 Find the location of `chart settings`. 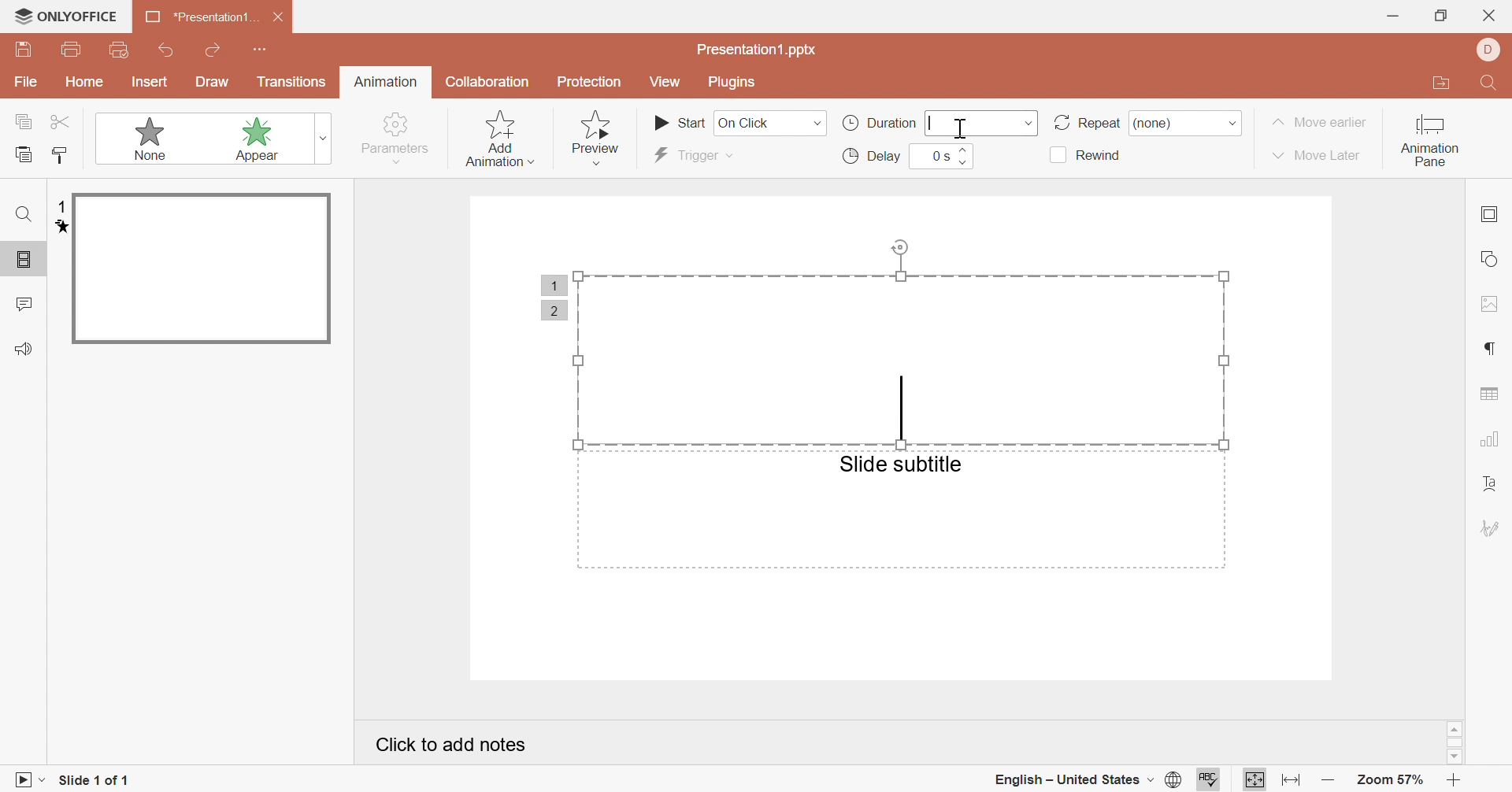

chart settings is located at coordinates (1491, 438).